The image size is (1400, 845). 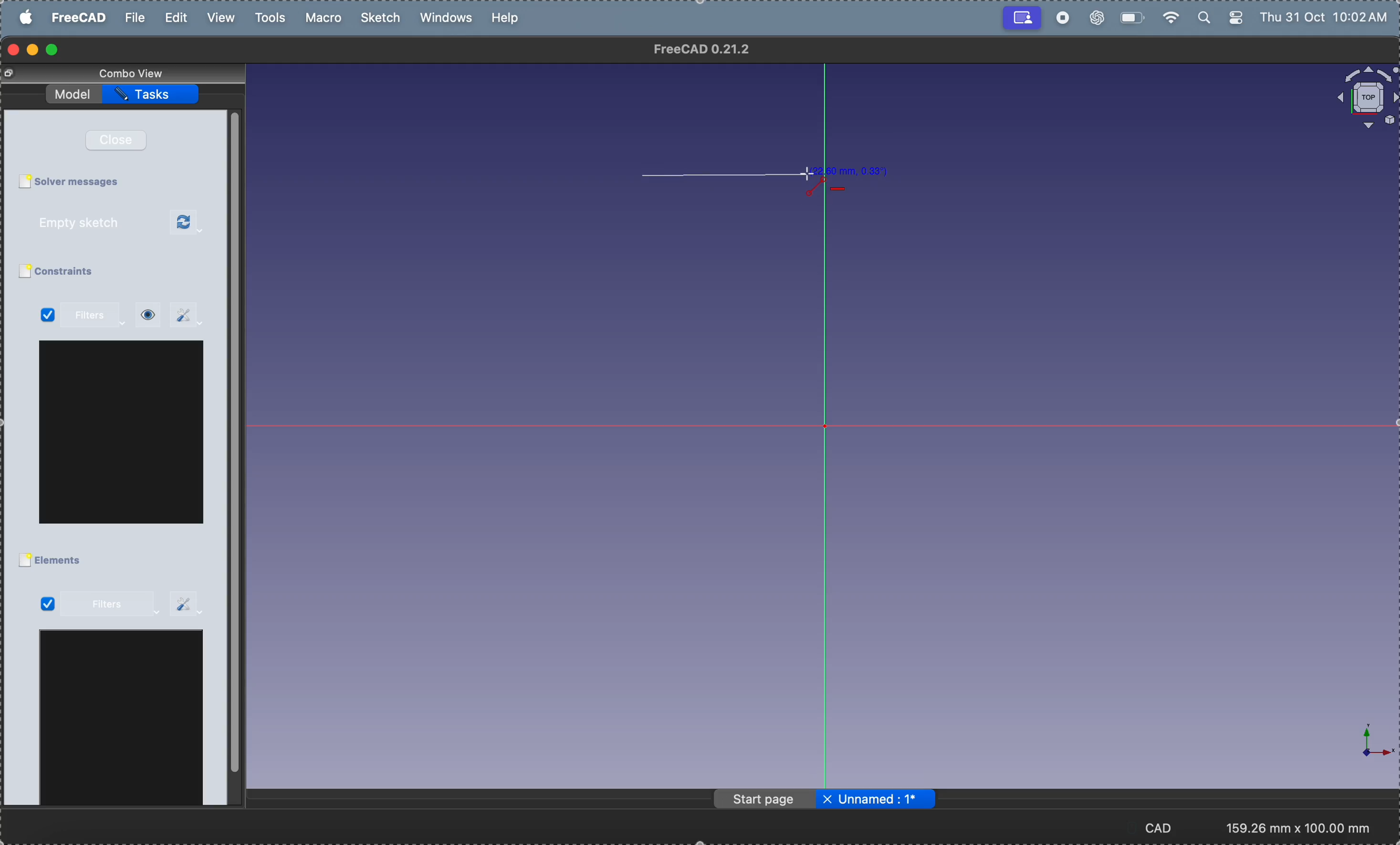 What do you see at coordinates (27, 17) in the screenshot?
I see `apple menu` at bounding box center [27, 17].